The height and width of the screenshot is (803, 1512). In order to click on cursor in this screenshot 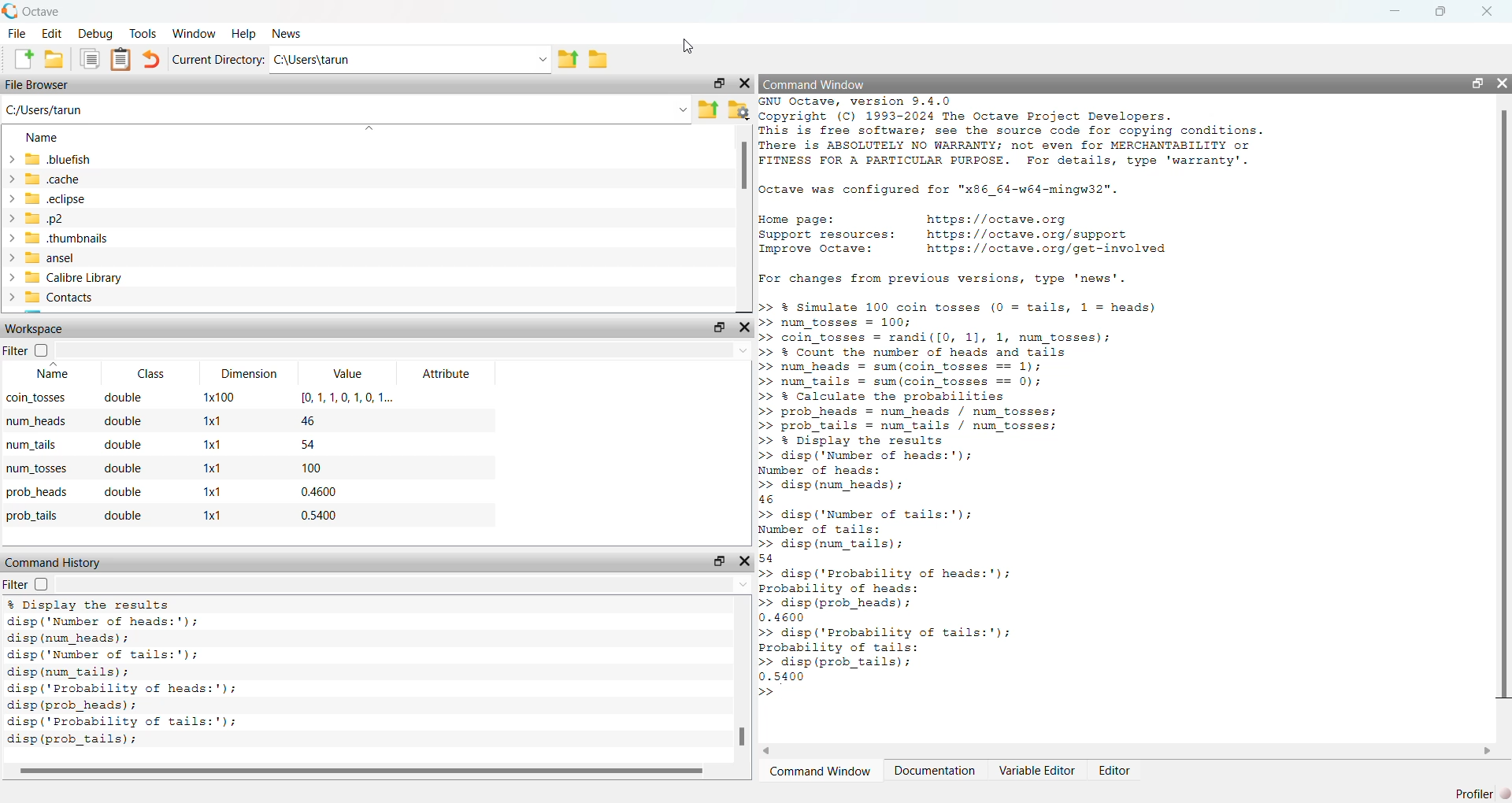, I will do `click(690, 46)`.